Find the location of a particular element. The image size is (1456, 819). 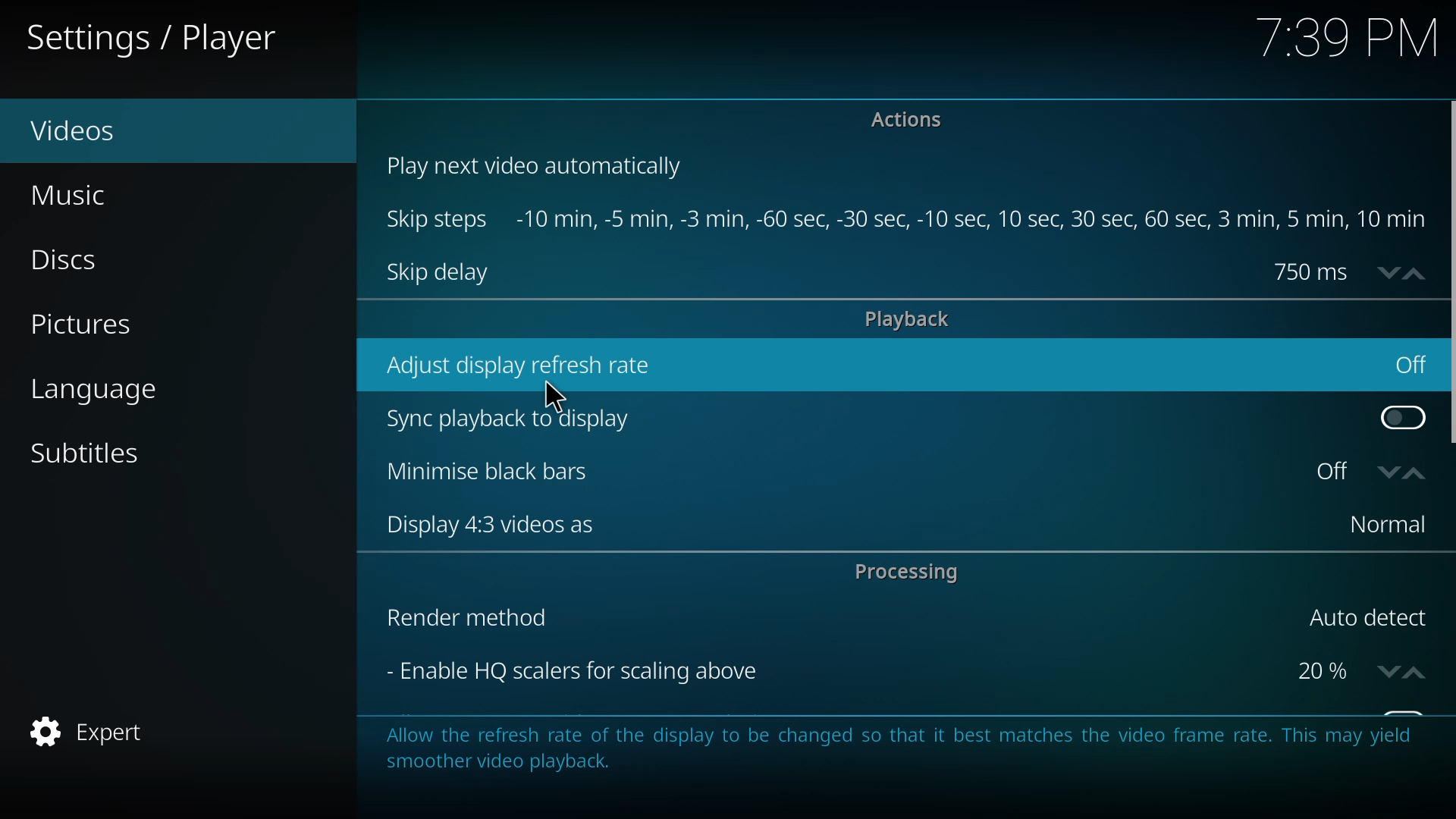

play next automatically is located at coordinates (540, 166).